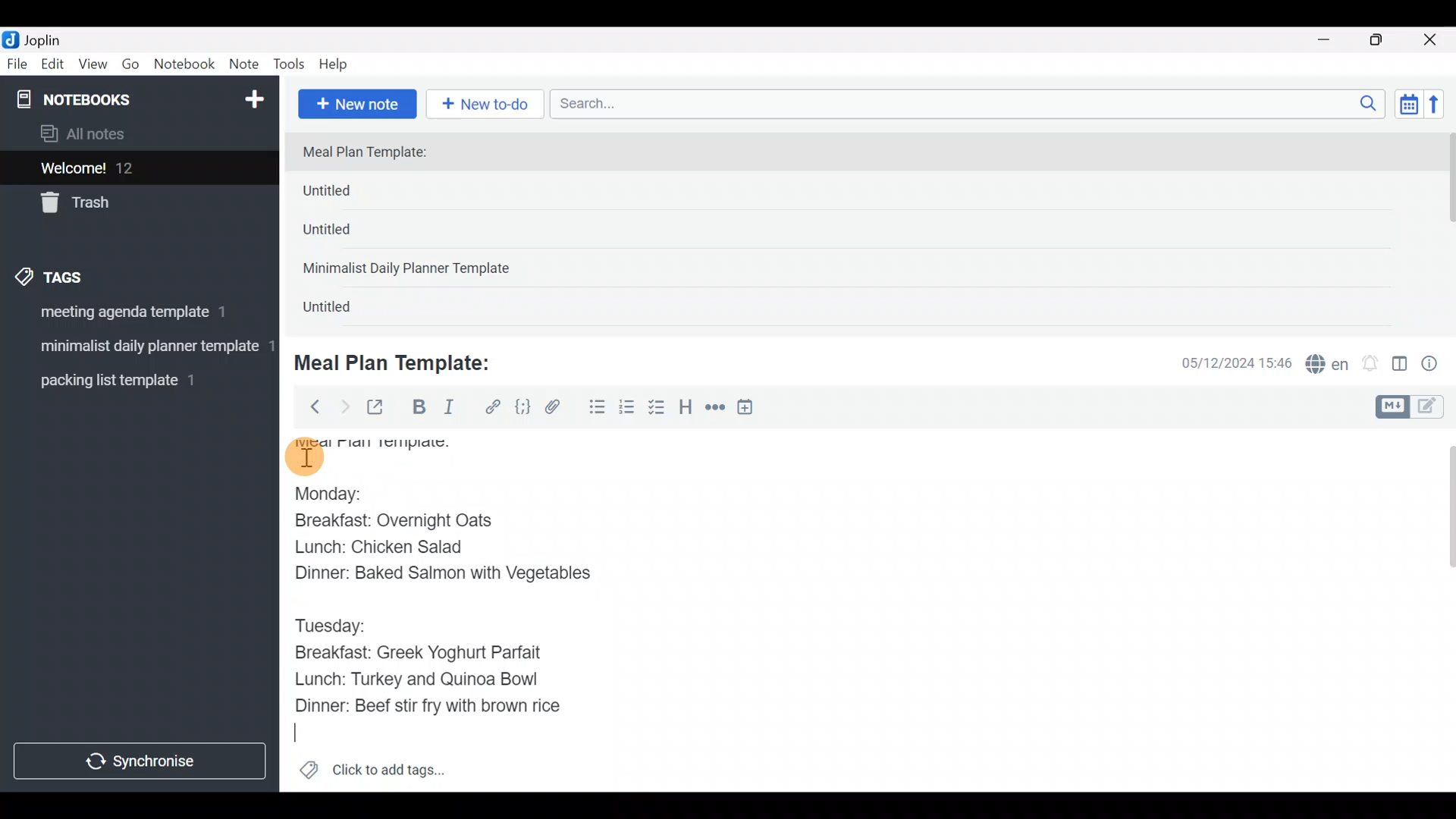 Image resolution: width=1456 pixels, height=819 pixels. I want to click on Hyperlink, so click(493, 407).